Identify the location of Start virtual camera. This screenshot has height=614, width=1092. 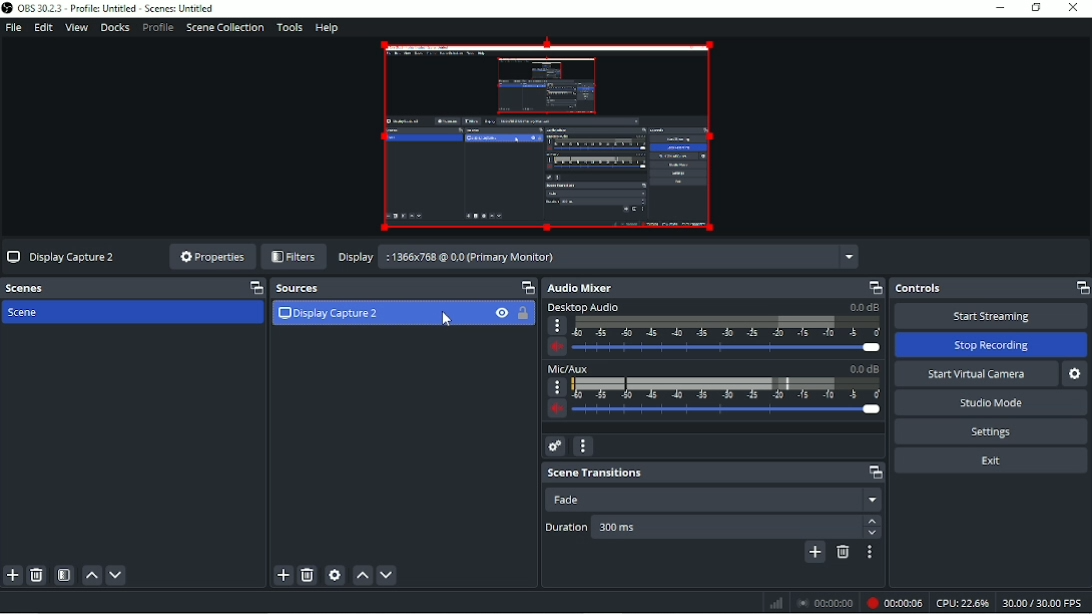
(977, 374).